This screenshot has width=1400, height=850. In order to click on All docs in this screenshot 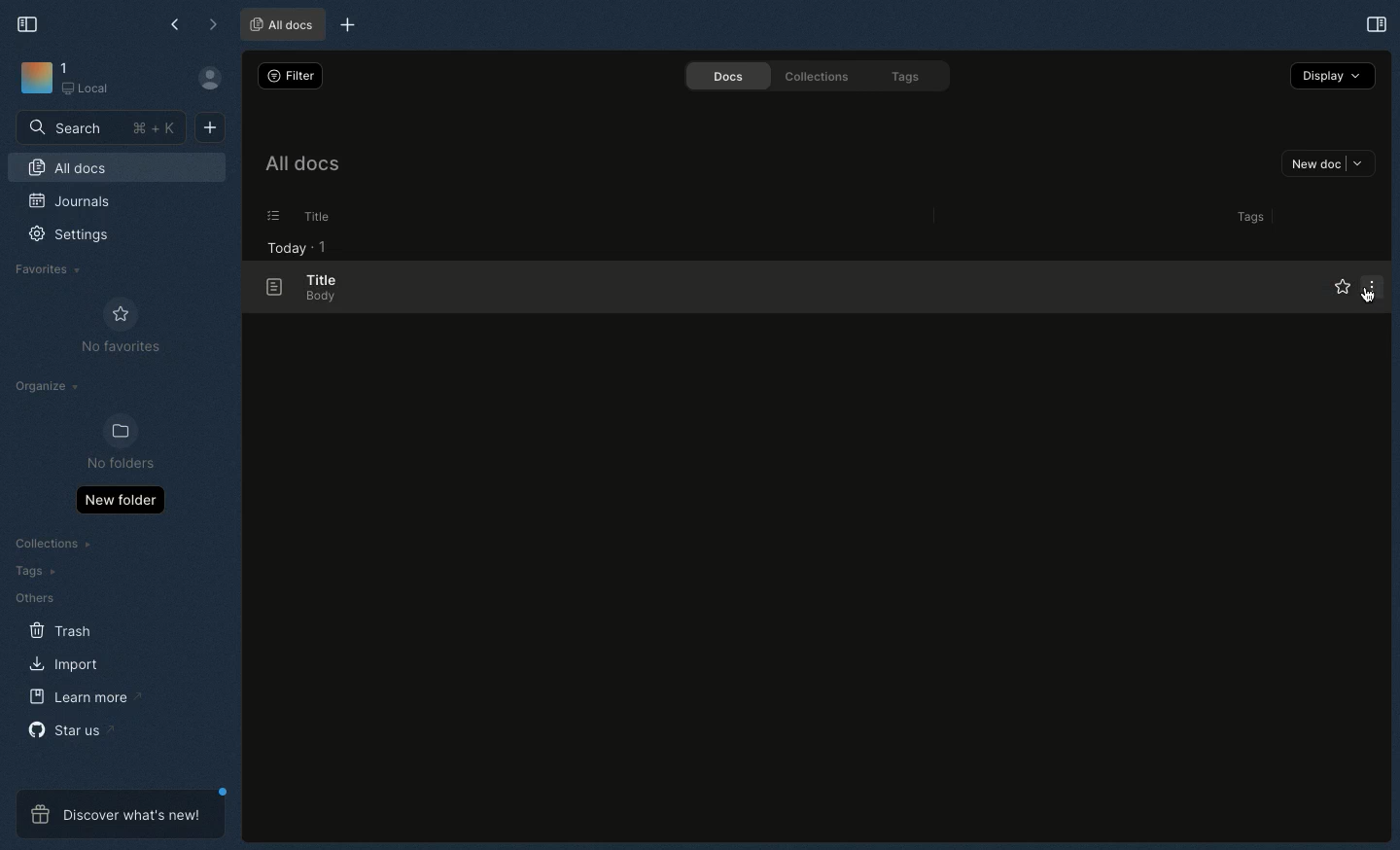, I will do `click(117, 170)`.